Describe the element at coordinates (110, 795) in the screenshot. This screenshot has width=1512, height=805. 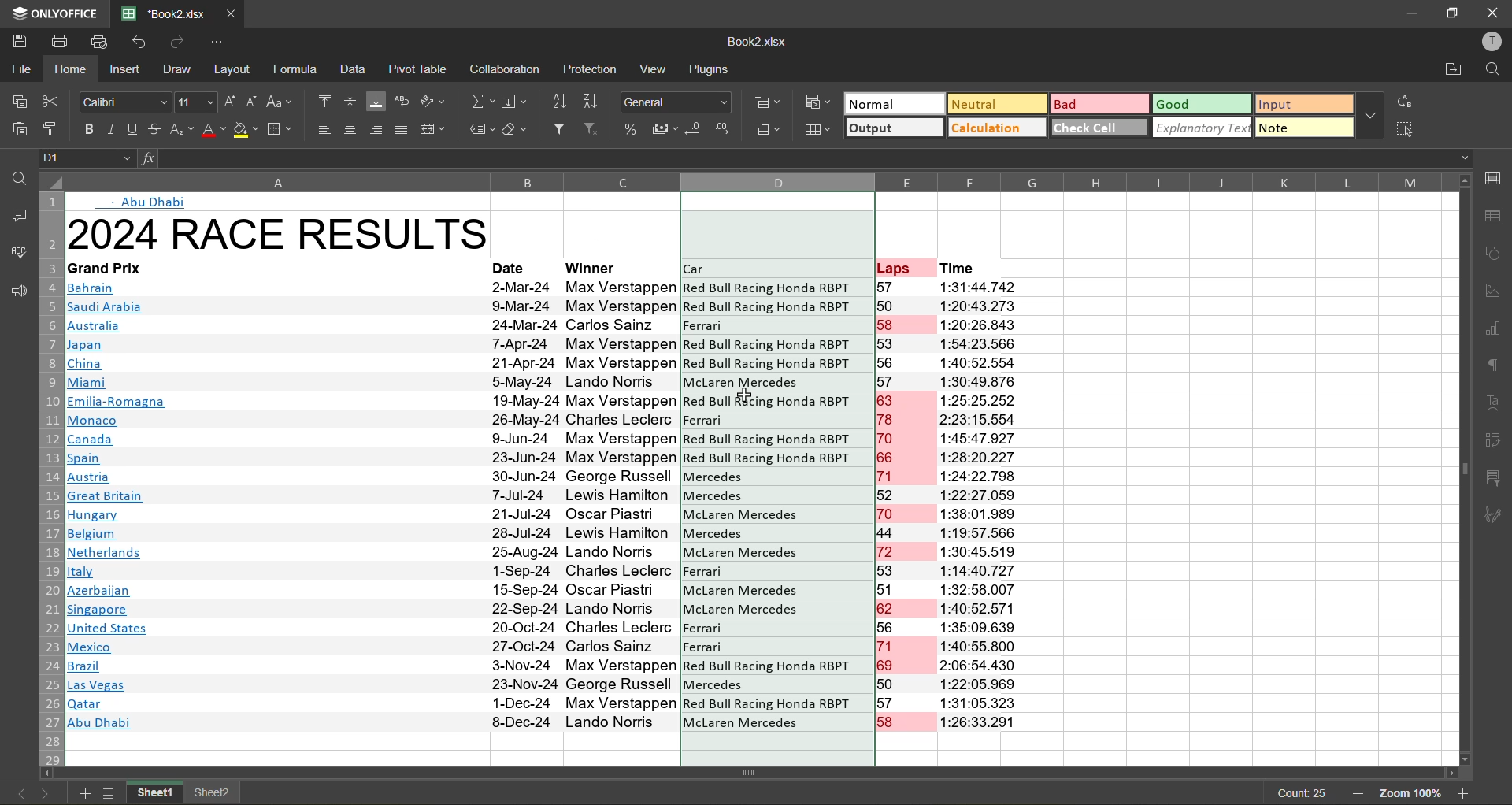
I see `sheet list` at that location.